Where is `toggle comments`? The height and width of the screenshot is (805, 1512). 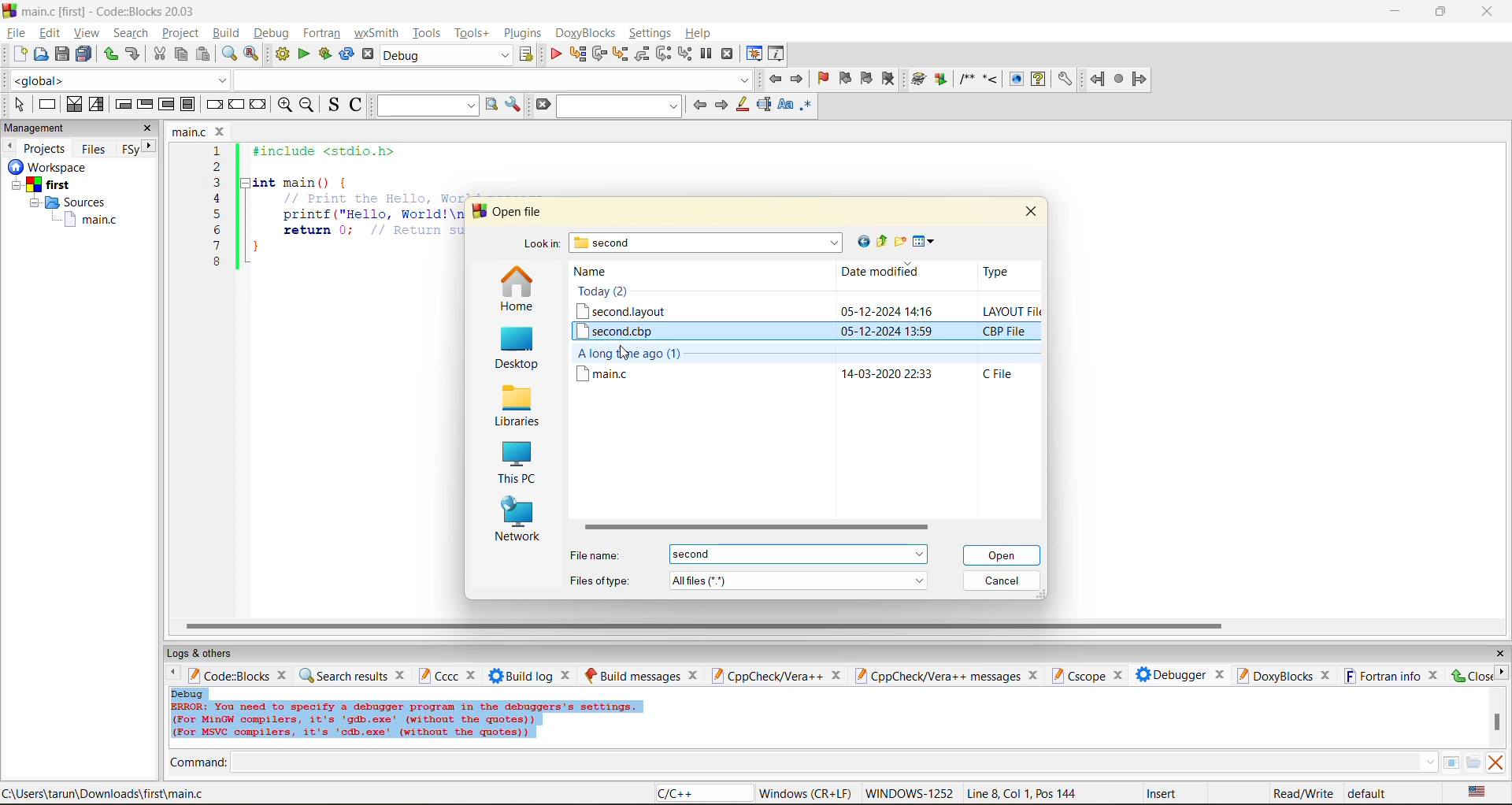 toggle comments is located at coordinates (358, 104).